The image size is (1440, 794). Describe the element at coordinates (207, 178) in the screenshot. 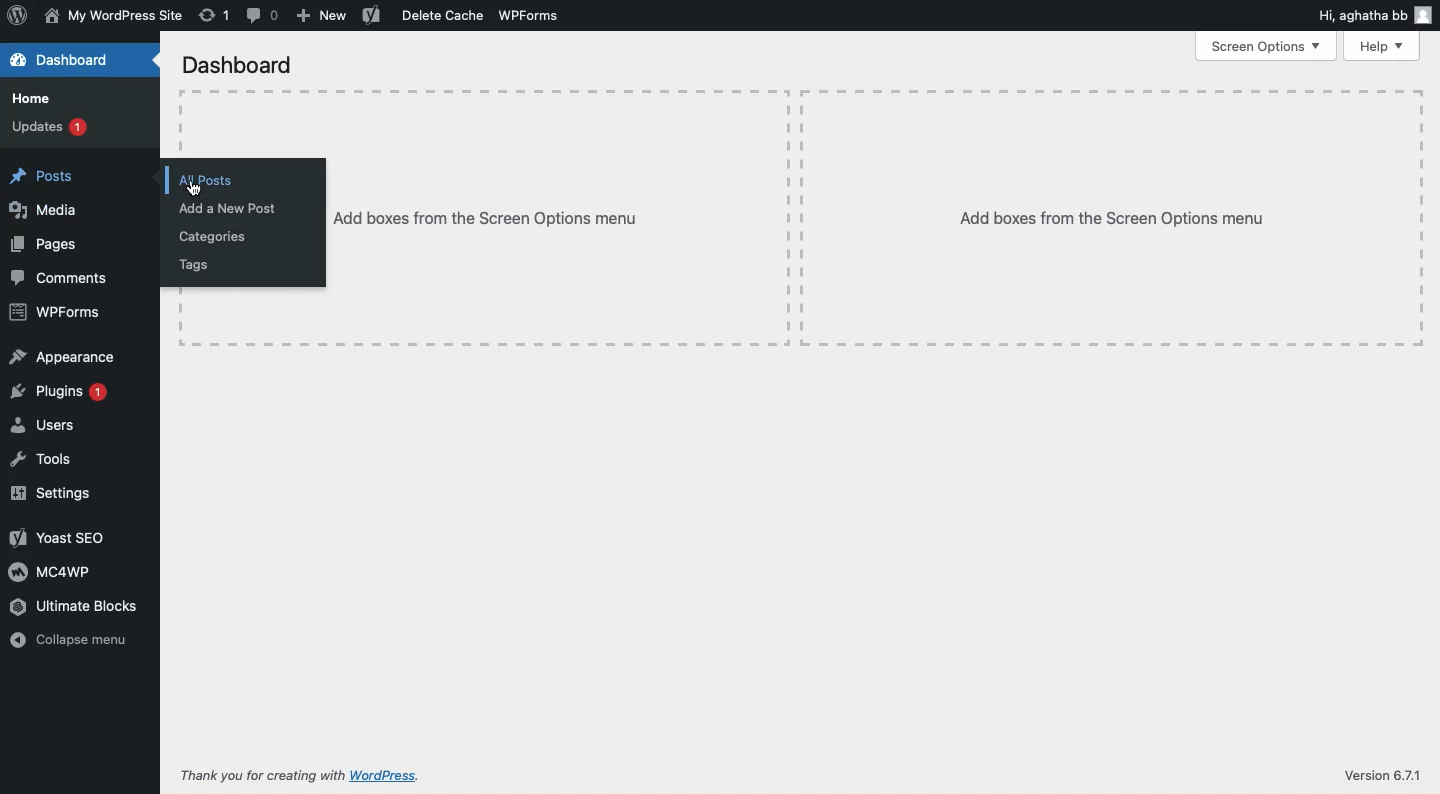

I see `All posts` at that location.